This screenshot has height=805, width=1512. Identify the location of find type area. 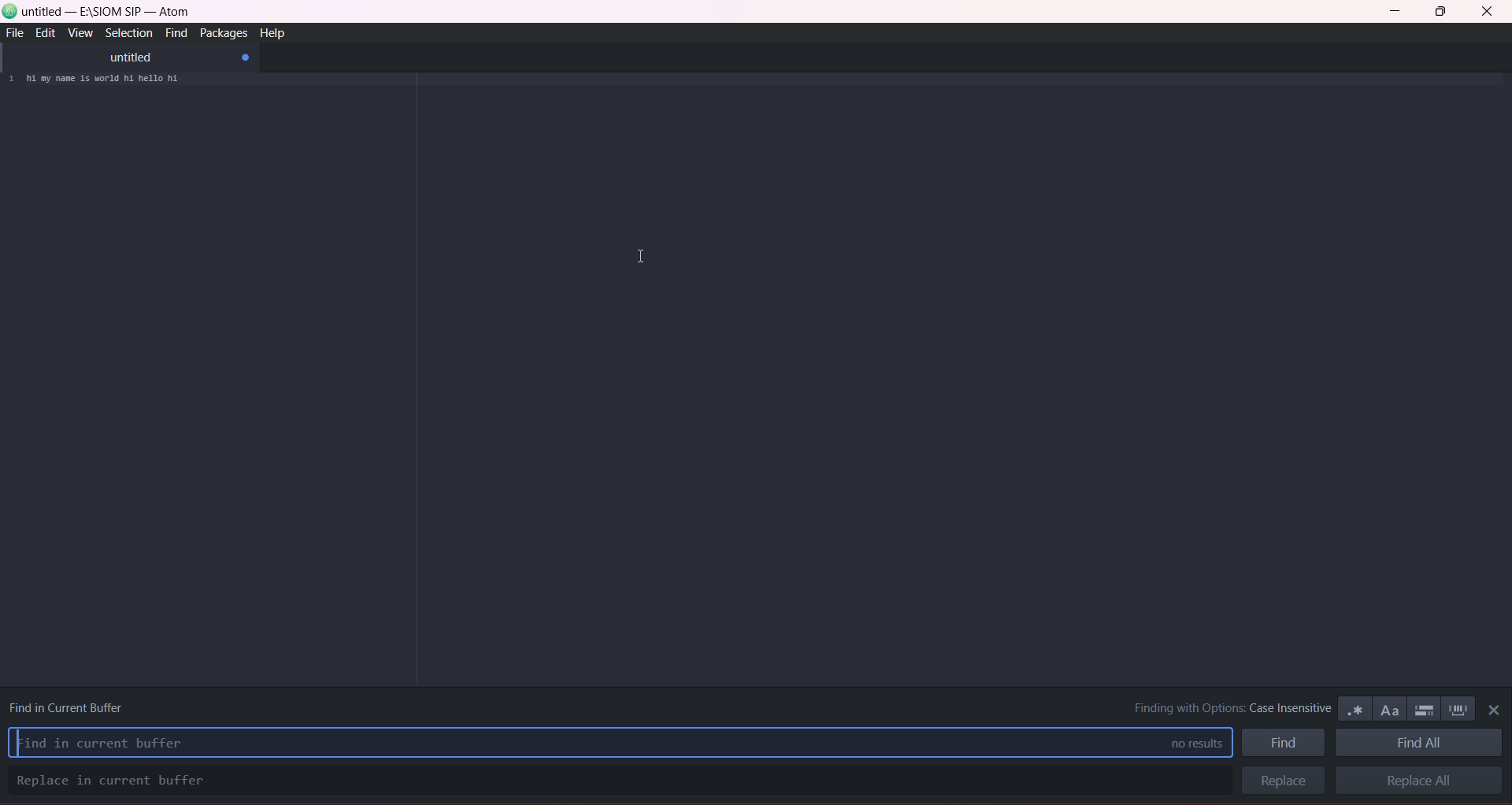
(575, 742).